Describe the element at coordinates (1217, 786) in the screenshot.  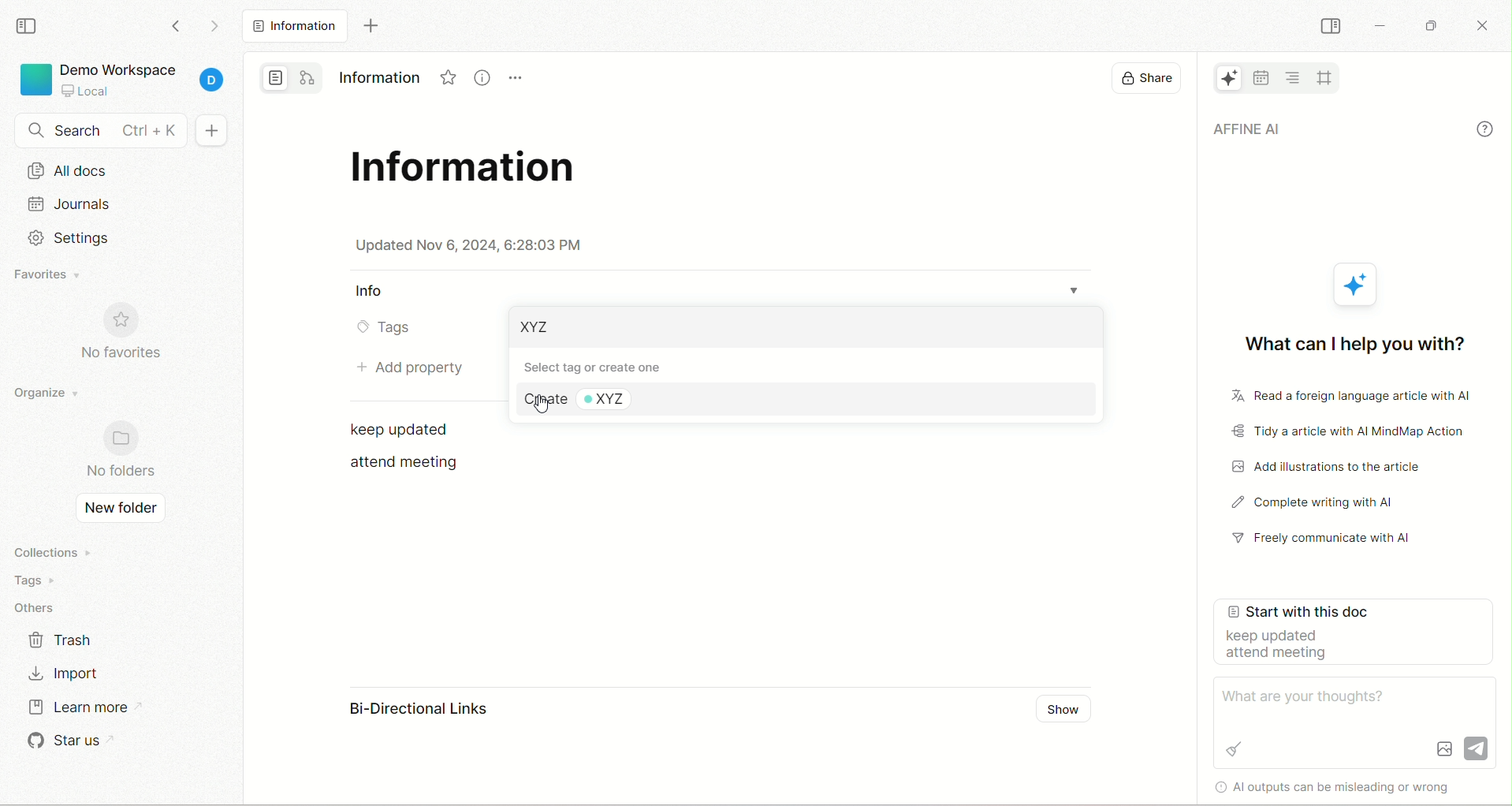
I see `Warning icon` at that location.